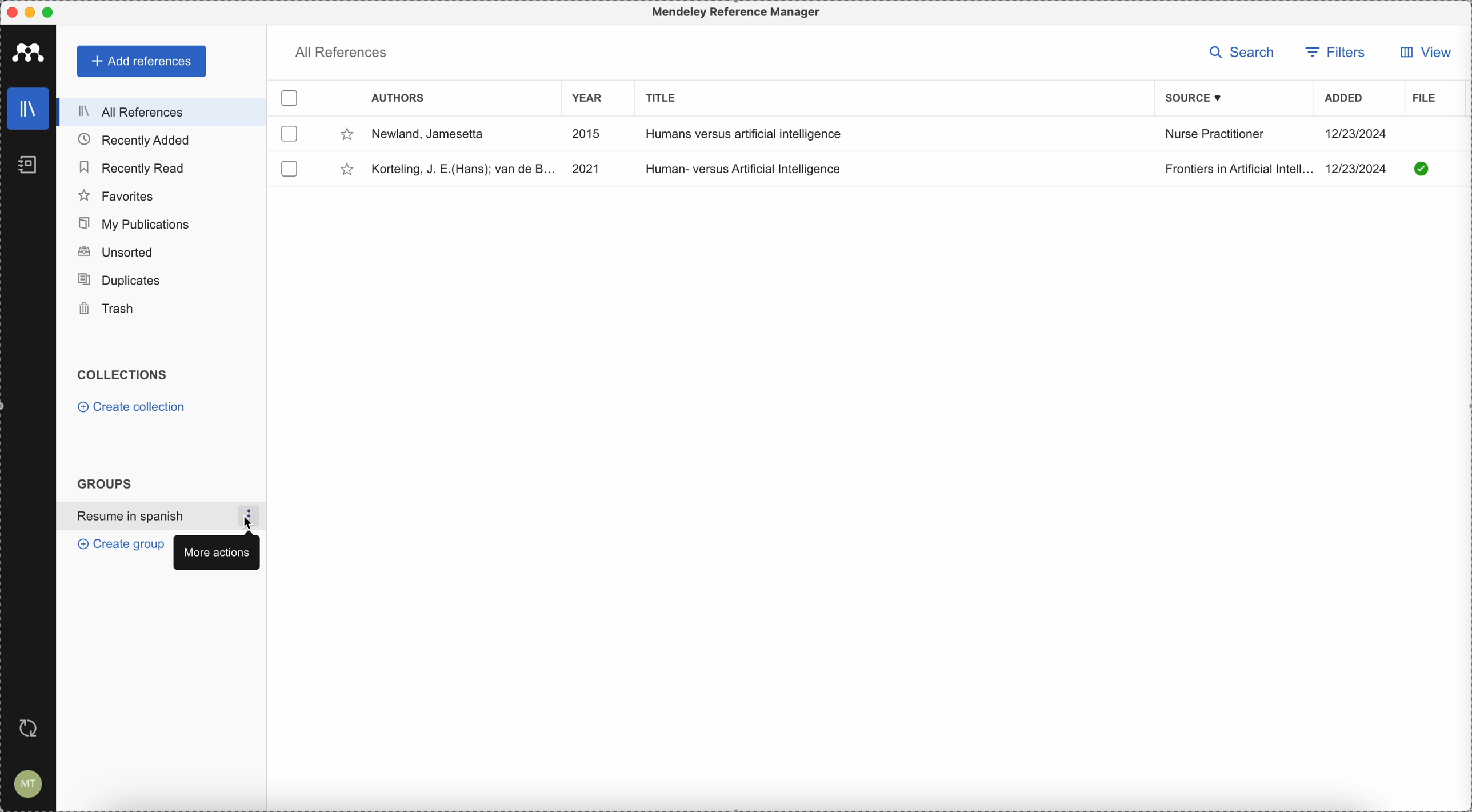 This screenshot has width=1472, height=812. What do you see at coordinates (292, 166) in the screenshot?
I see `checkbox` at bounding box center [292, 166].